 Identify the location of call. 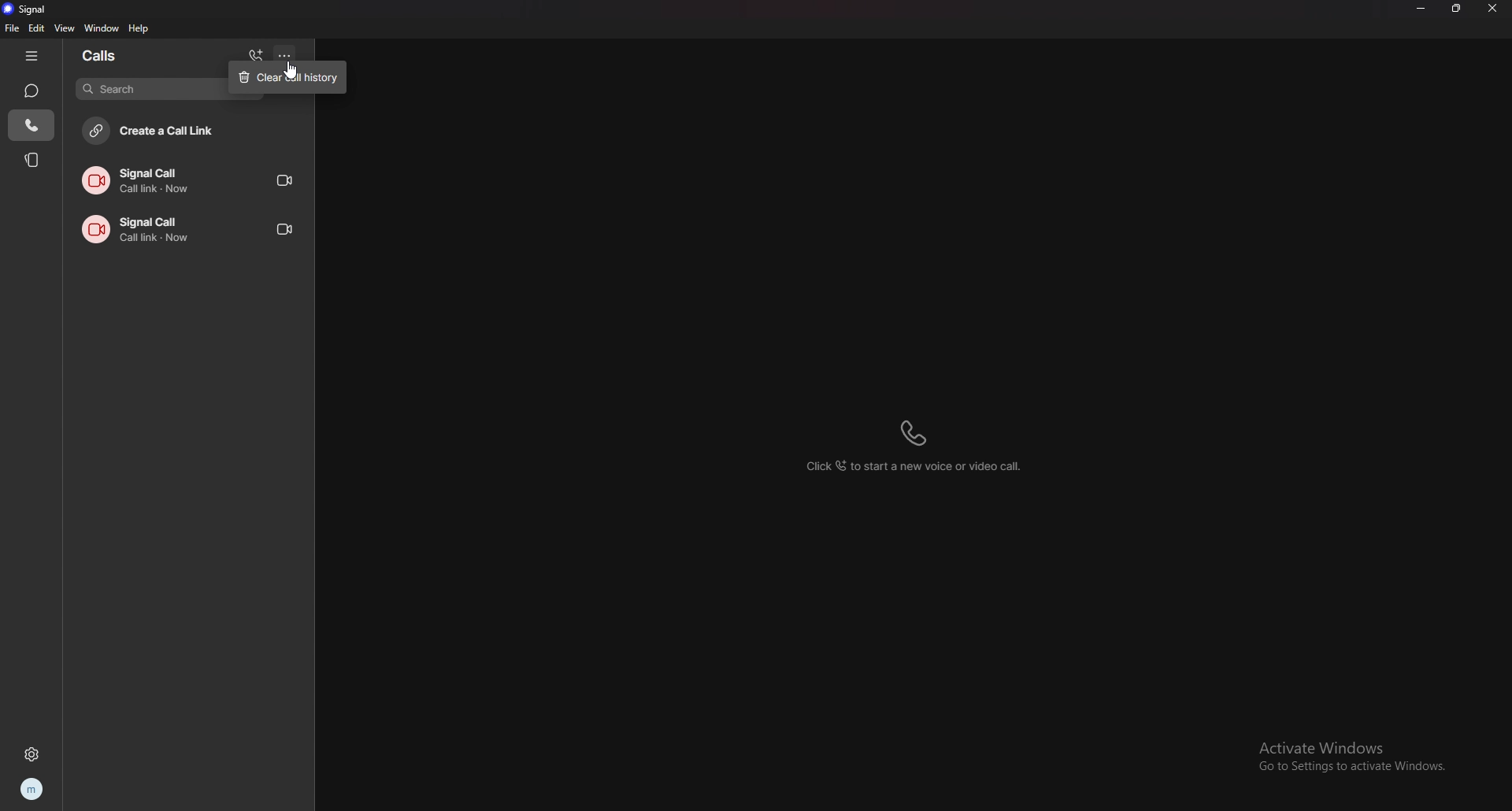
(193, 180).